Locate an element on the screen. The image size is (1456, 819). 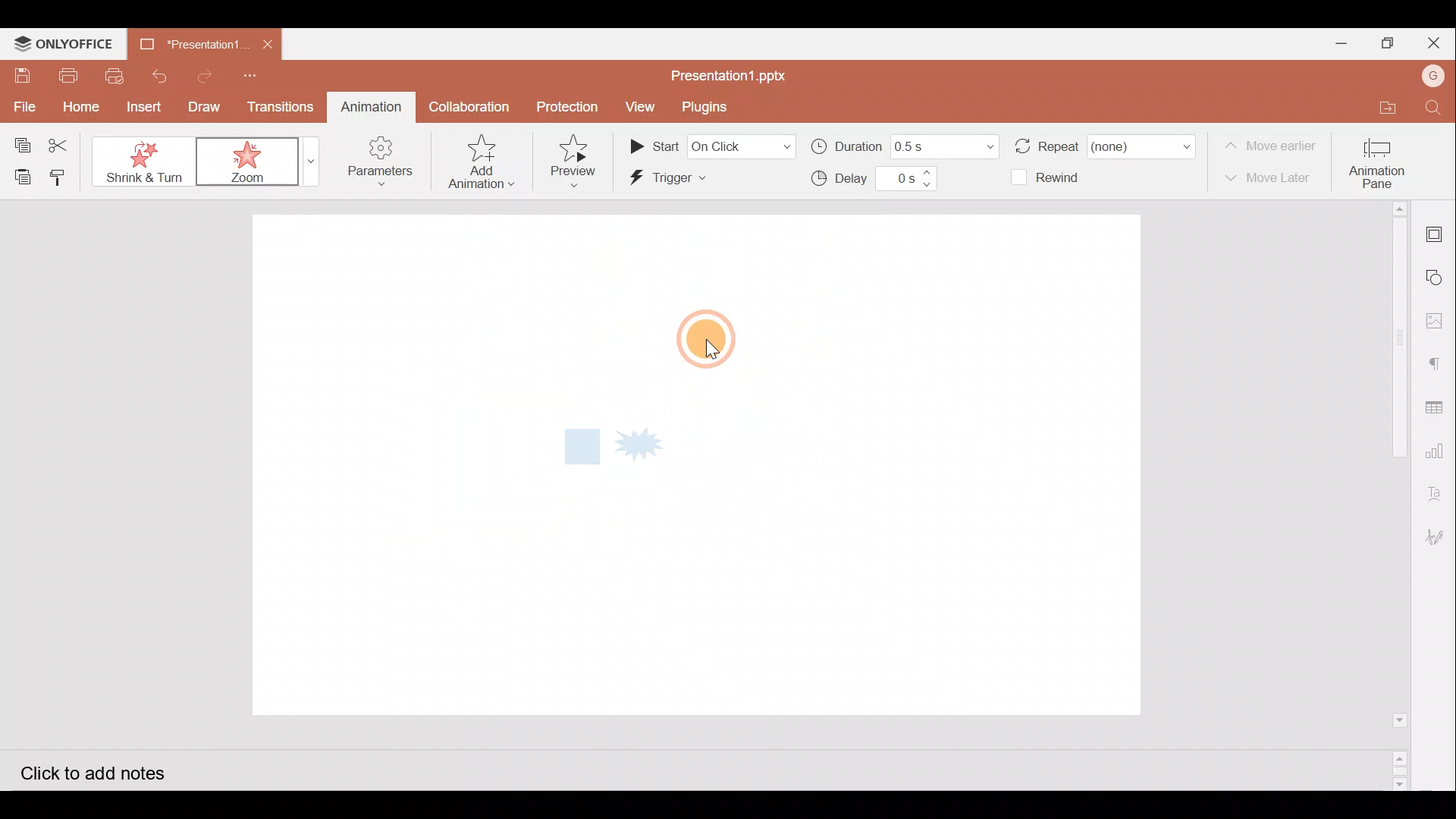
Paste is located at coordinates (19, 177).